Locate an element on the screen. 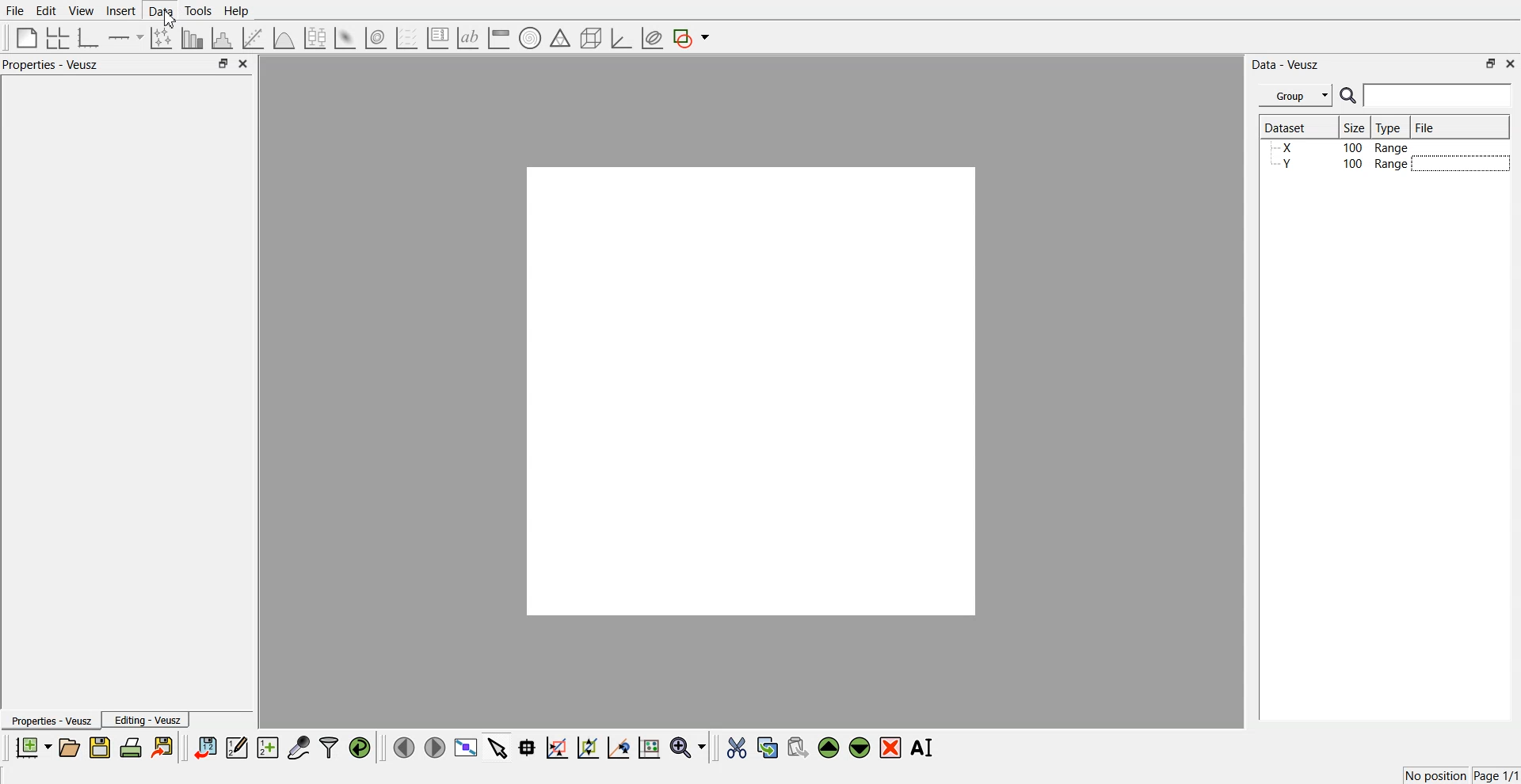  Data is located at coordinates (162, 11).